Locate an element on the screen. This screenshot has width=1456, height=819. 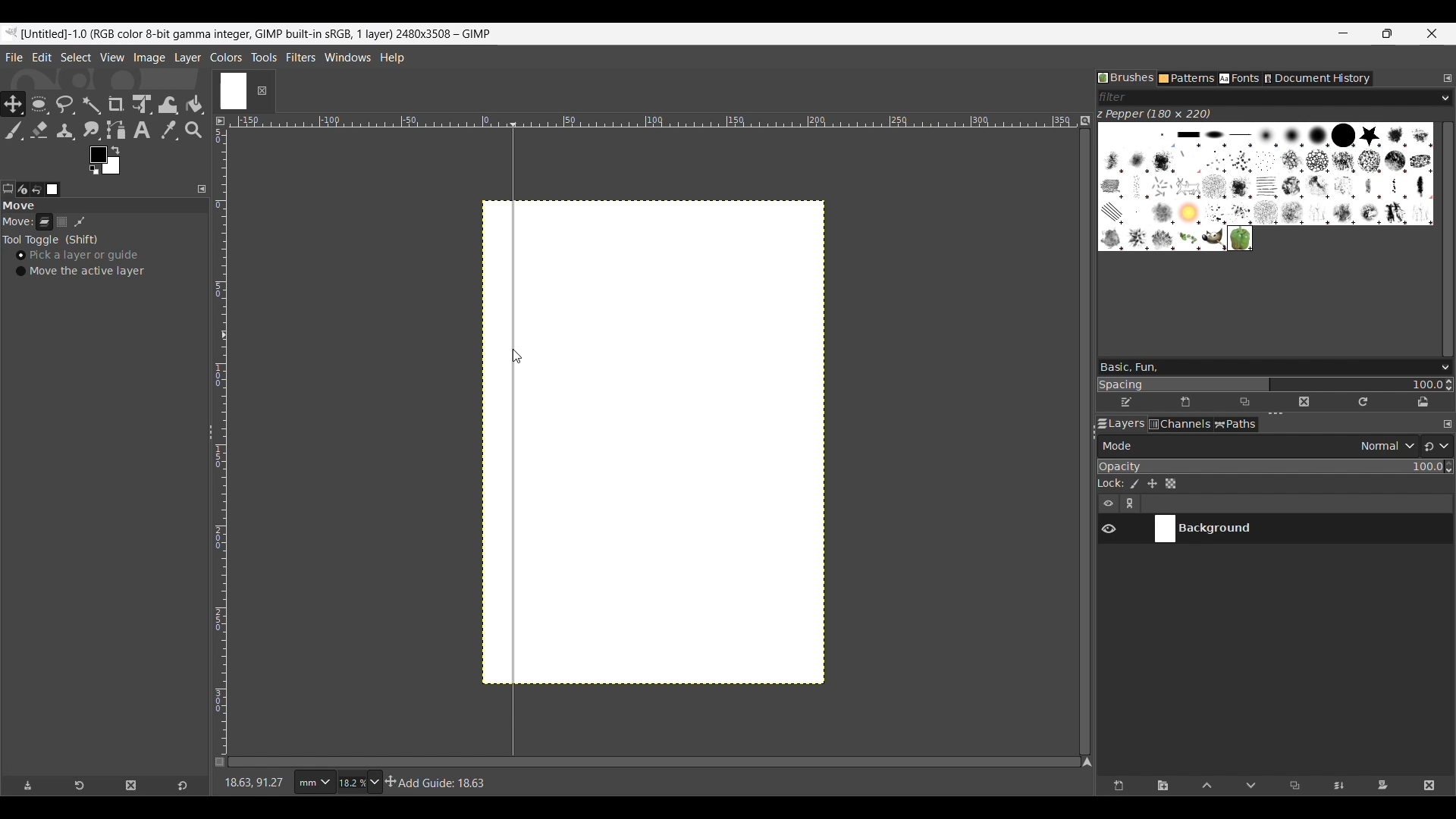
Clone tool is located at coordinates (66, 131).